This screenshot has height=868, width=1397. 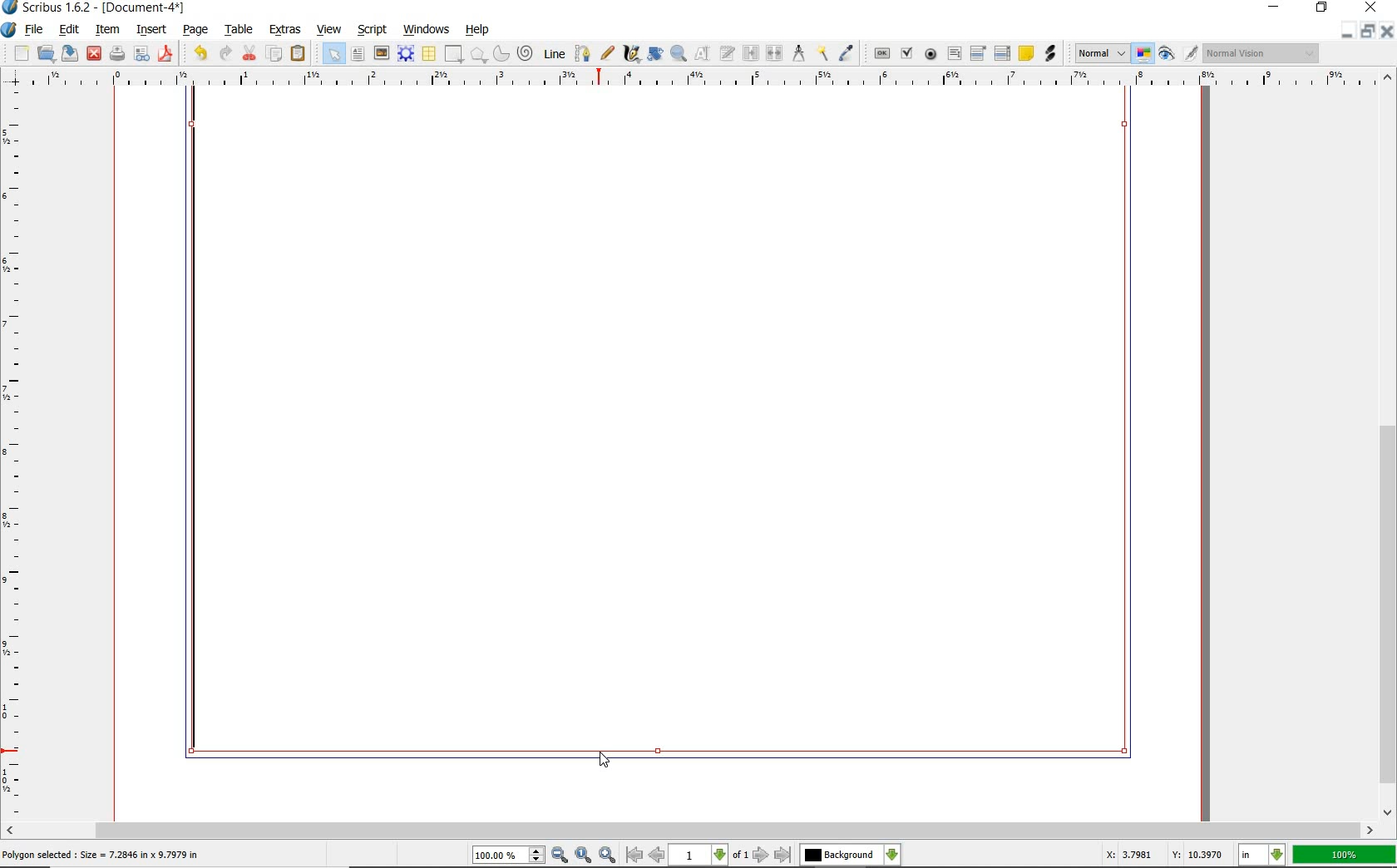 I want to click on copy, so click(x=275, y=54).